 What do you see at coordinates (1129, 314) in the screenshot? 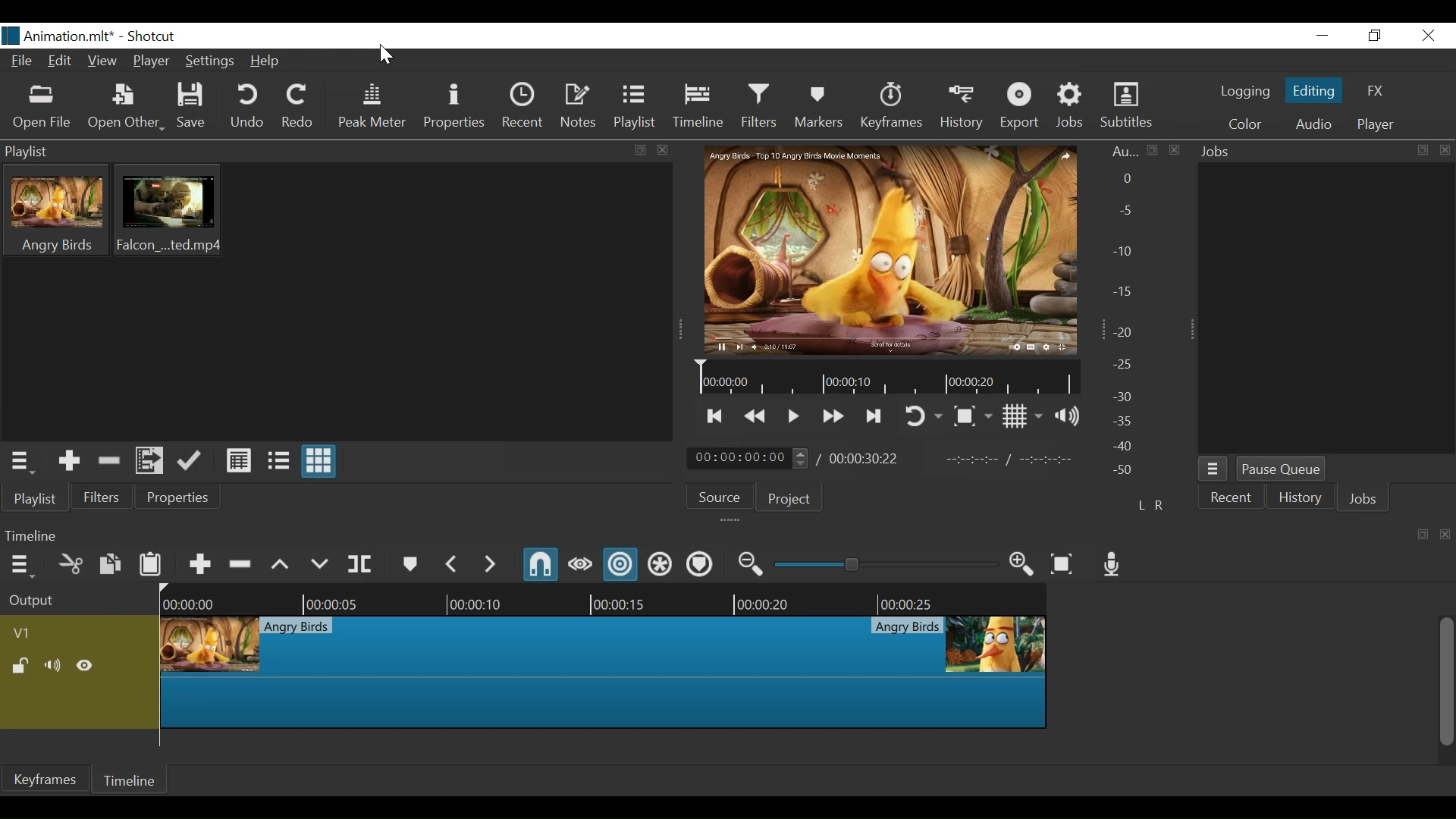
I see `Audio Panel` at bounding box center [1129, 314].